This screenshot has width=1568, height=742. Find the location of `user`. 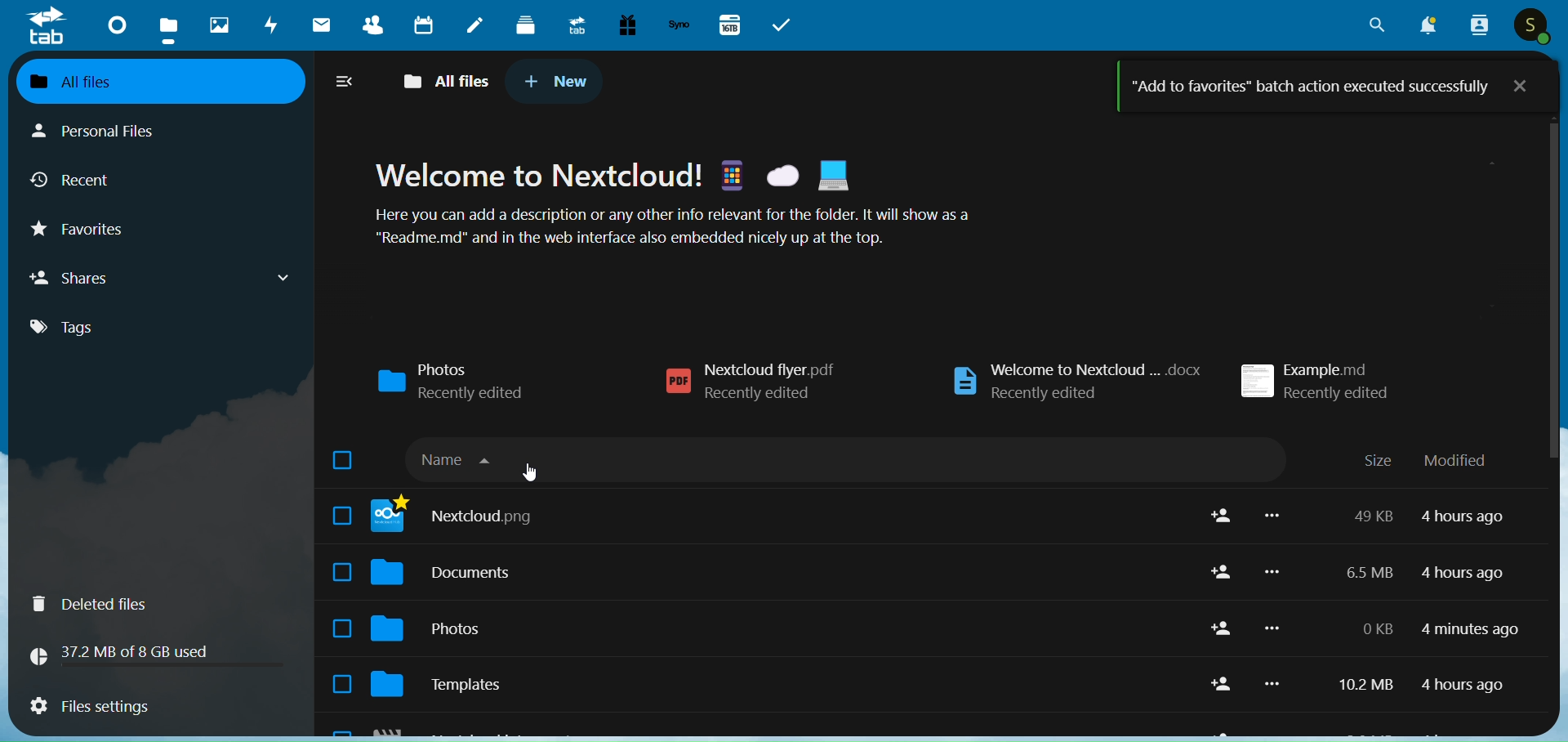

user is located at coordinates (1530, 25).